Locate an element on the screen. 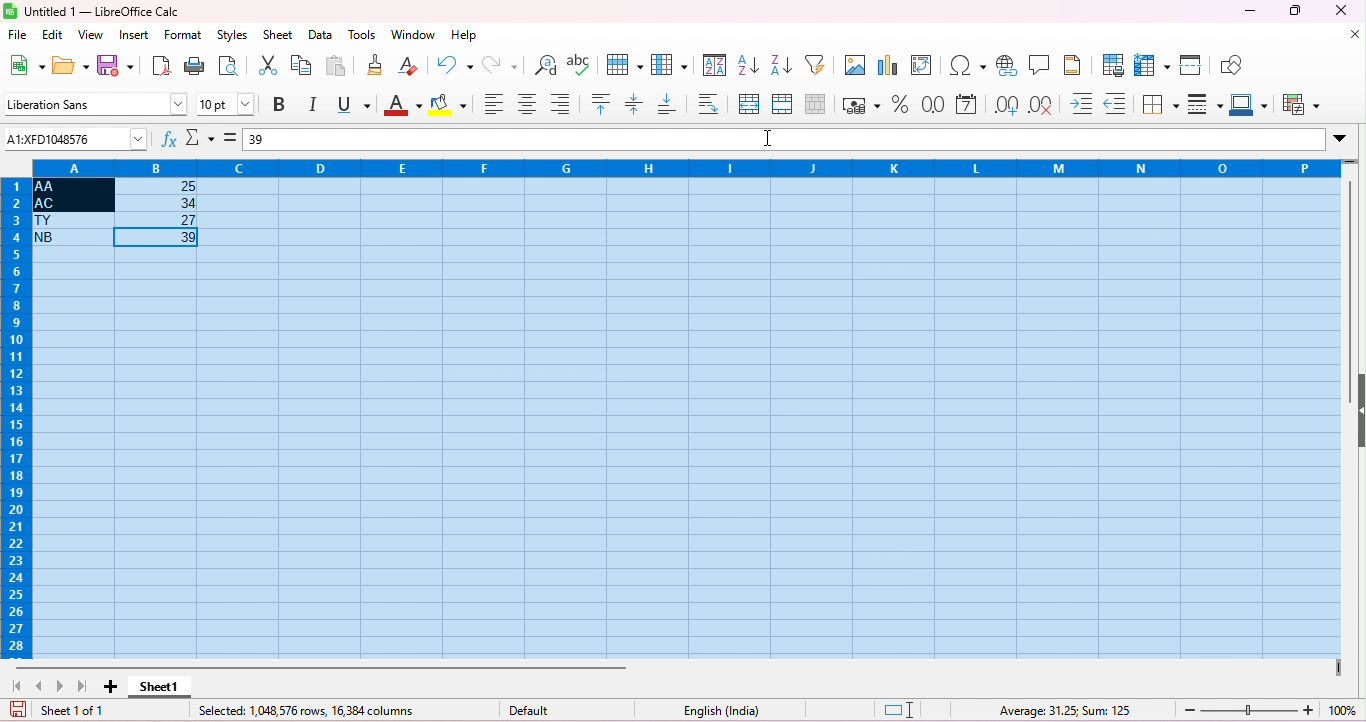 The width and height of the screenshot is (1366, 722). zoom is located at coordinates (1272, 709).